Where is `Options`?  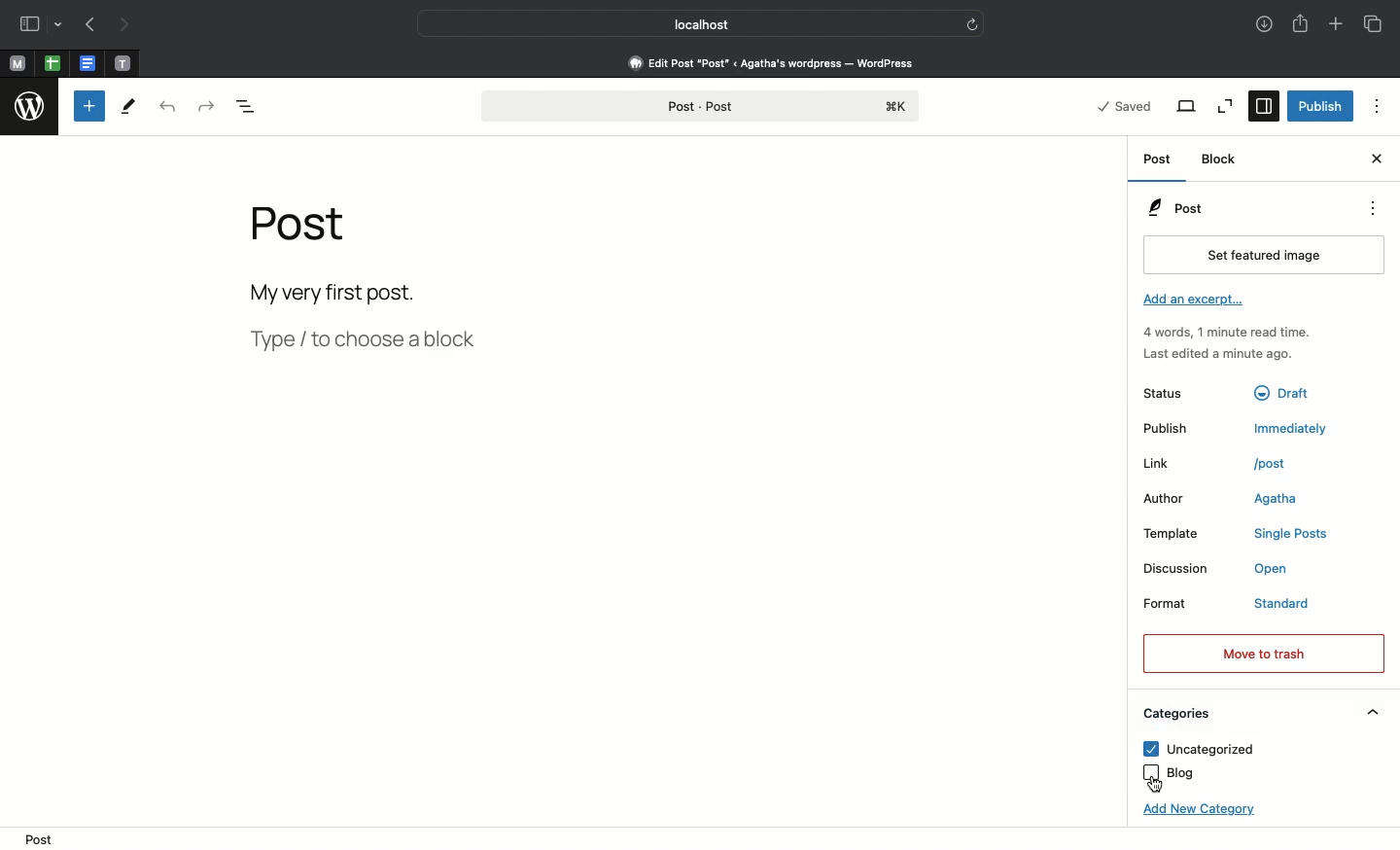 Options is located at coordinates (1371, 208).